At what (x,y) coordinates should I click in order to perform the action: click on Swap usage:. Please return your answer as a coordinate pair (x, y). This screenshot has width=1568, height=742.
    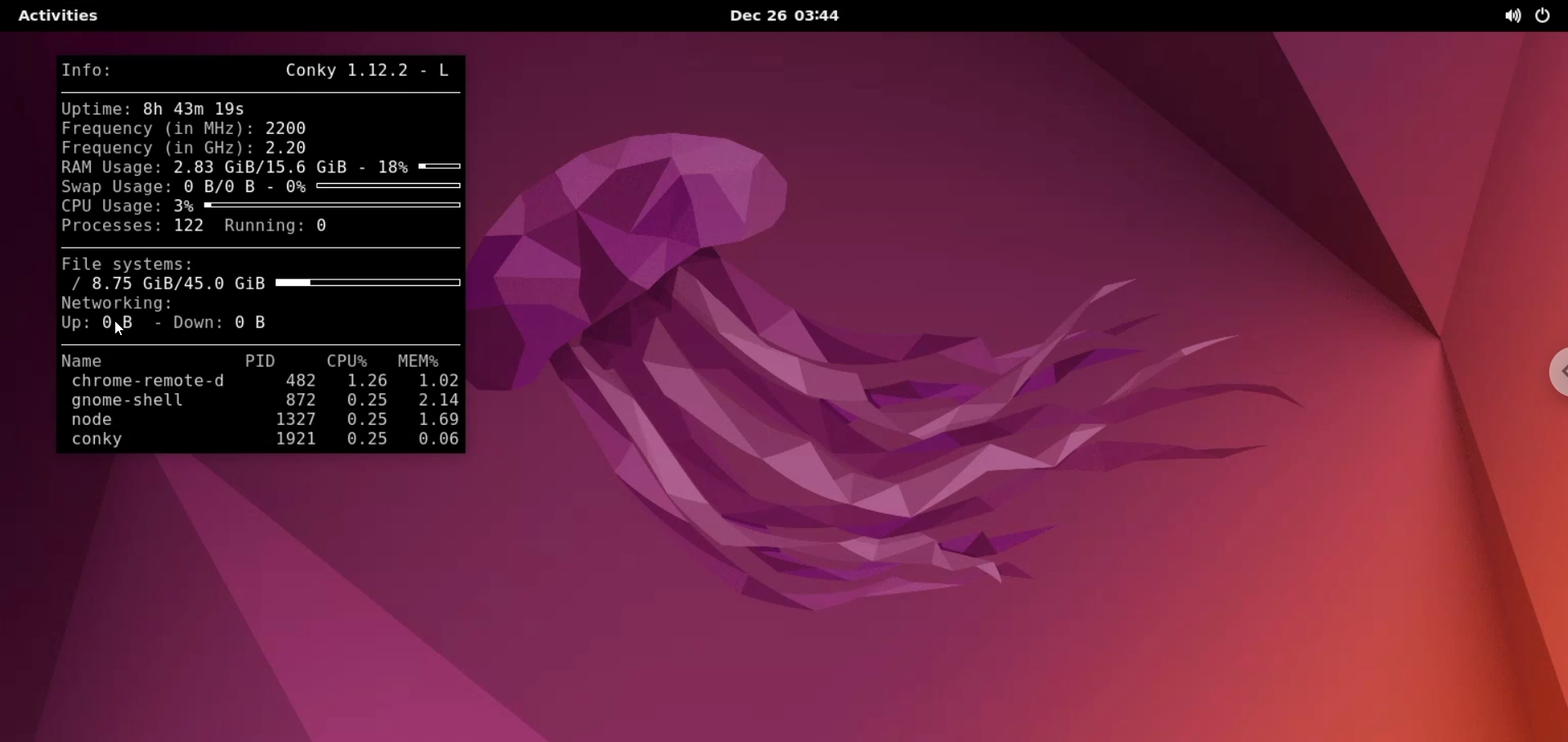
    Looking at the image, I should click on (117, 188).